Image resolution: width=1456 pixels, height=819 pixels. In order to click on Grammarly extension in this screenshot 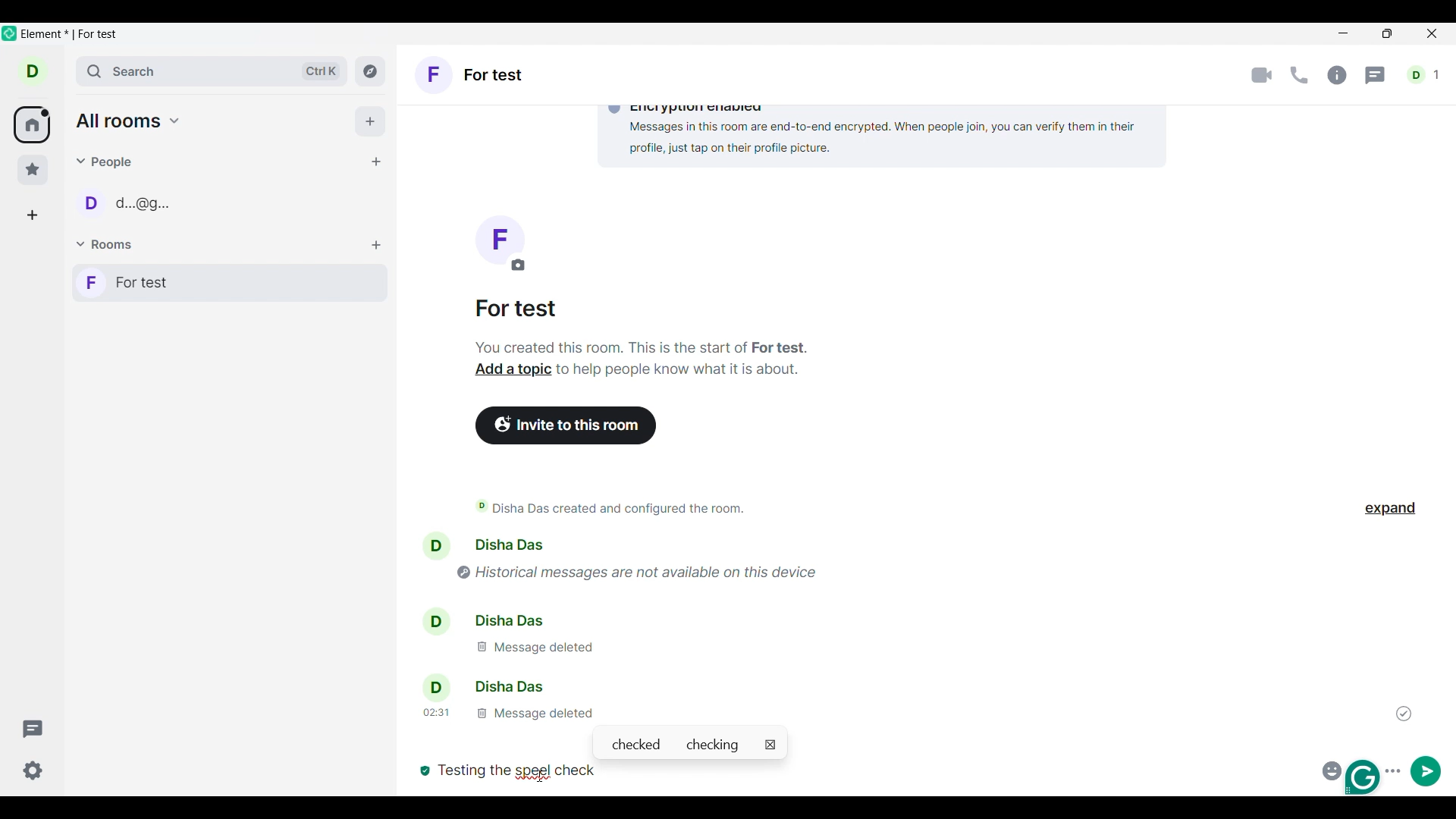, I will do `click(1364, 777)`.